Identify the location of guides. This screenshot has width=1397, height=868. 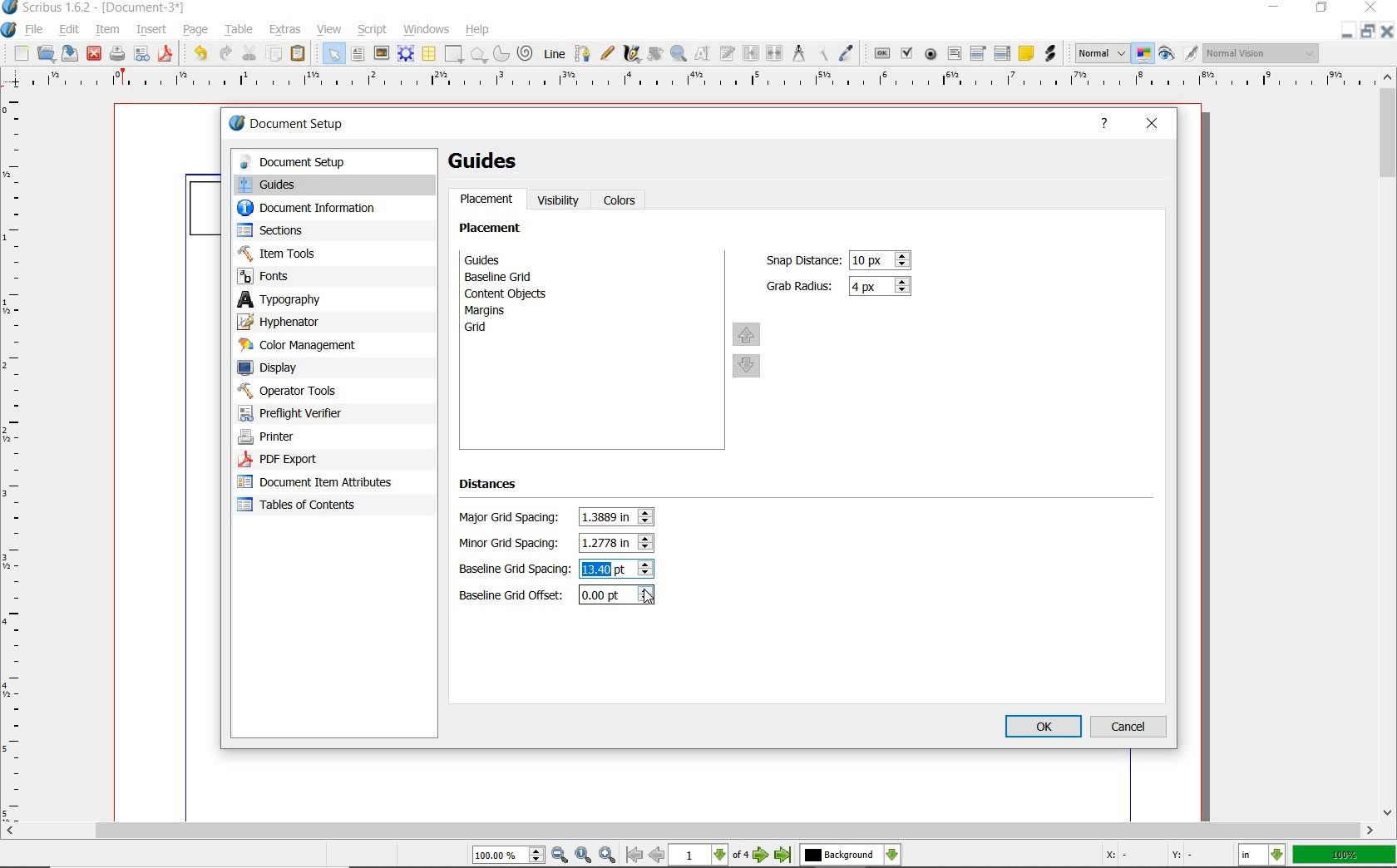
(333, 186).